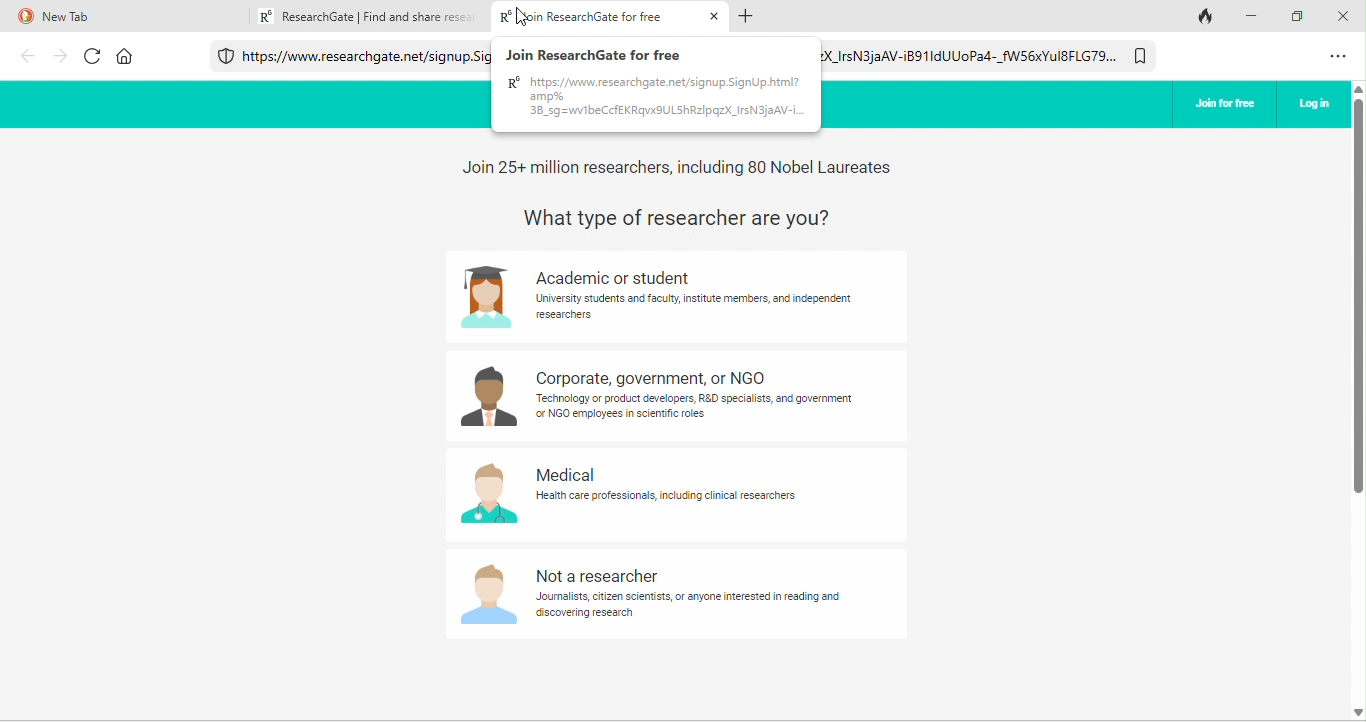 This screenshot has width=1366, height=722. What do you see at coordinates (124, 56) in the screenshot?
I see `home` at bounding box center [124, 56].